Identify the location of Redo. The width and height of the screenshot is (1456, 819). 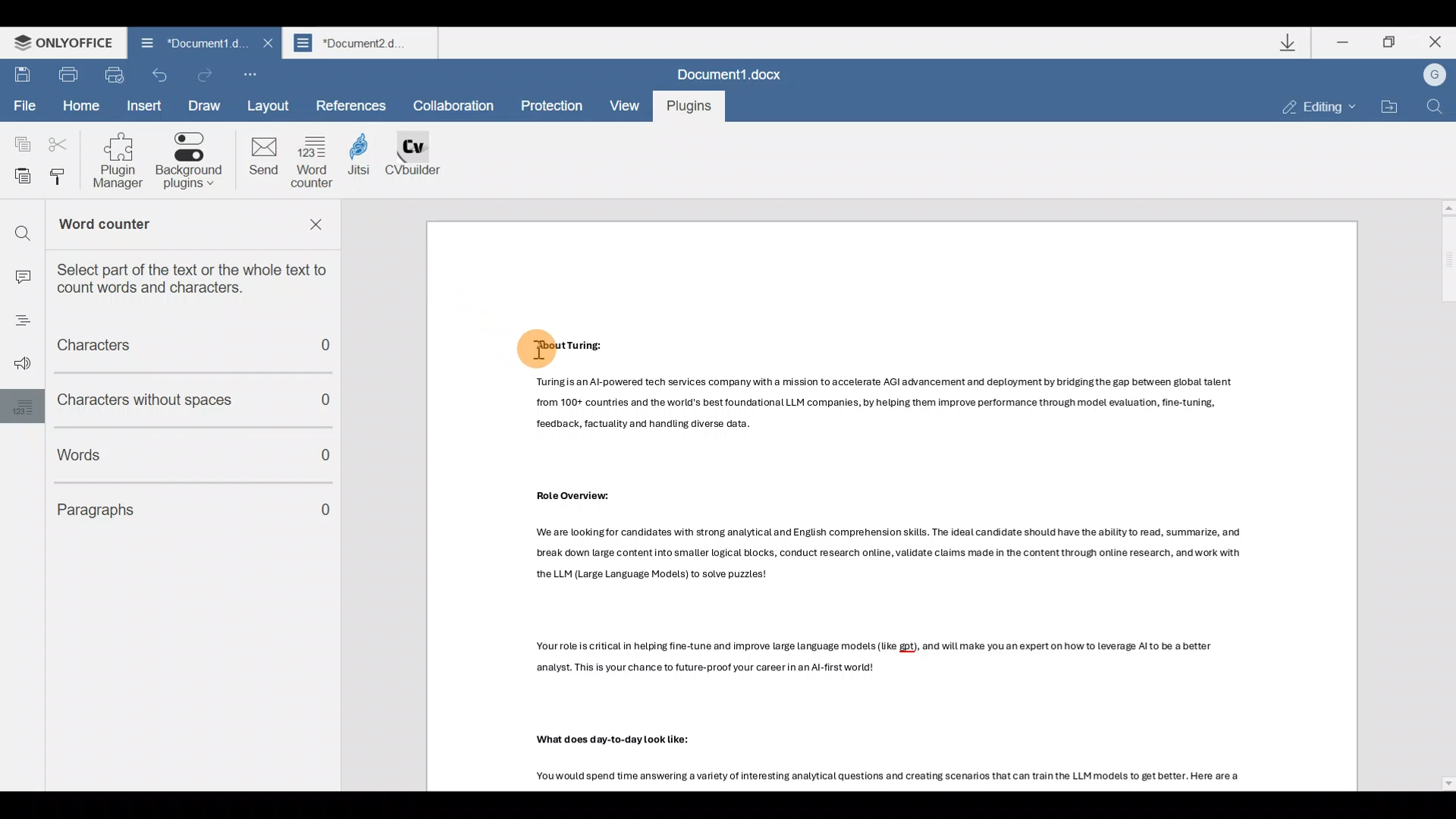
(206, 73).